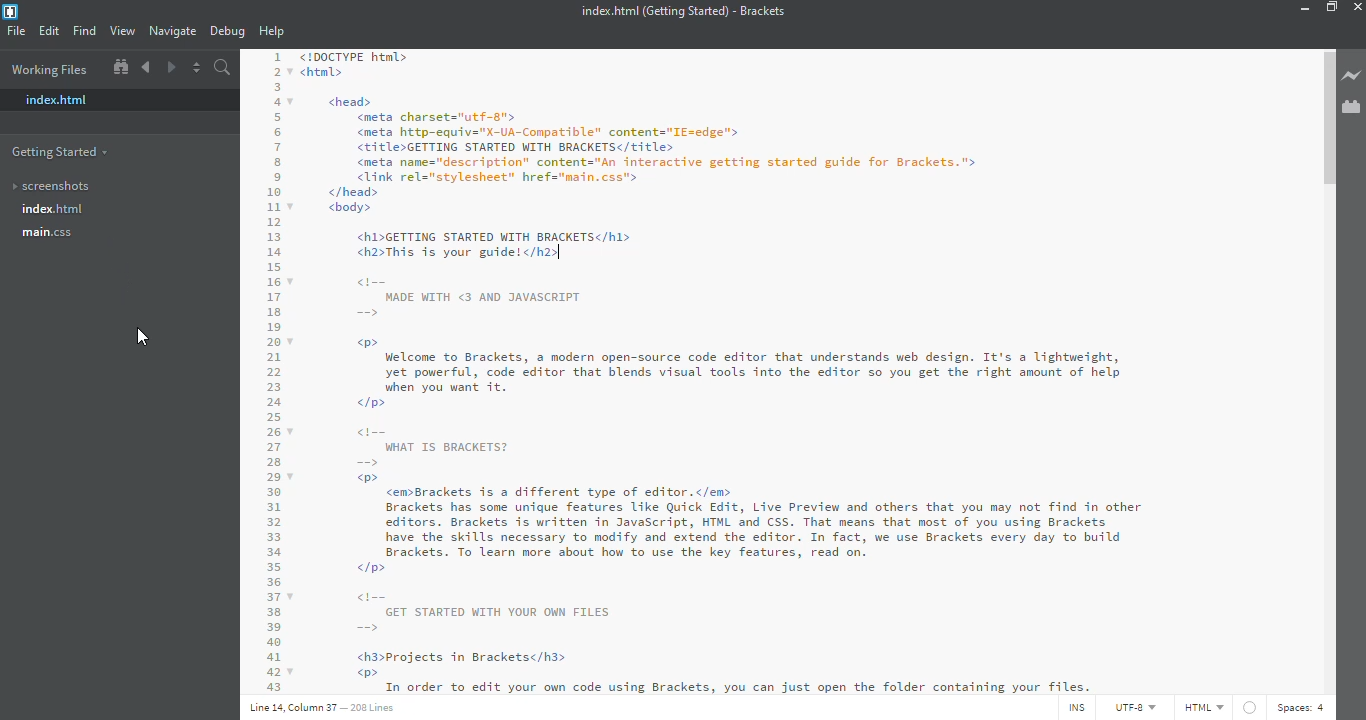 The image size is (1366, 720). I want to click on split the editor, so click(195, 68).